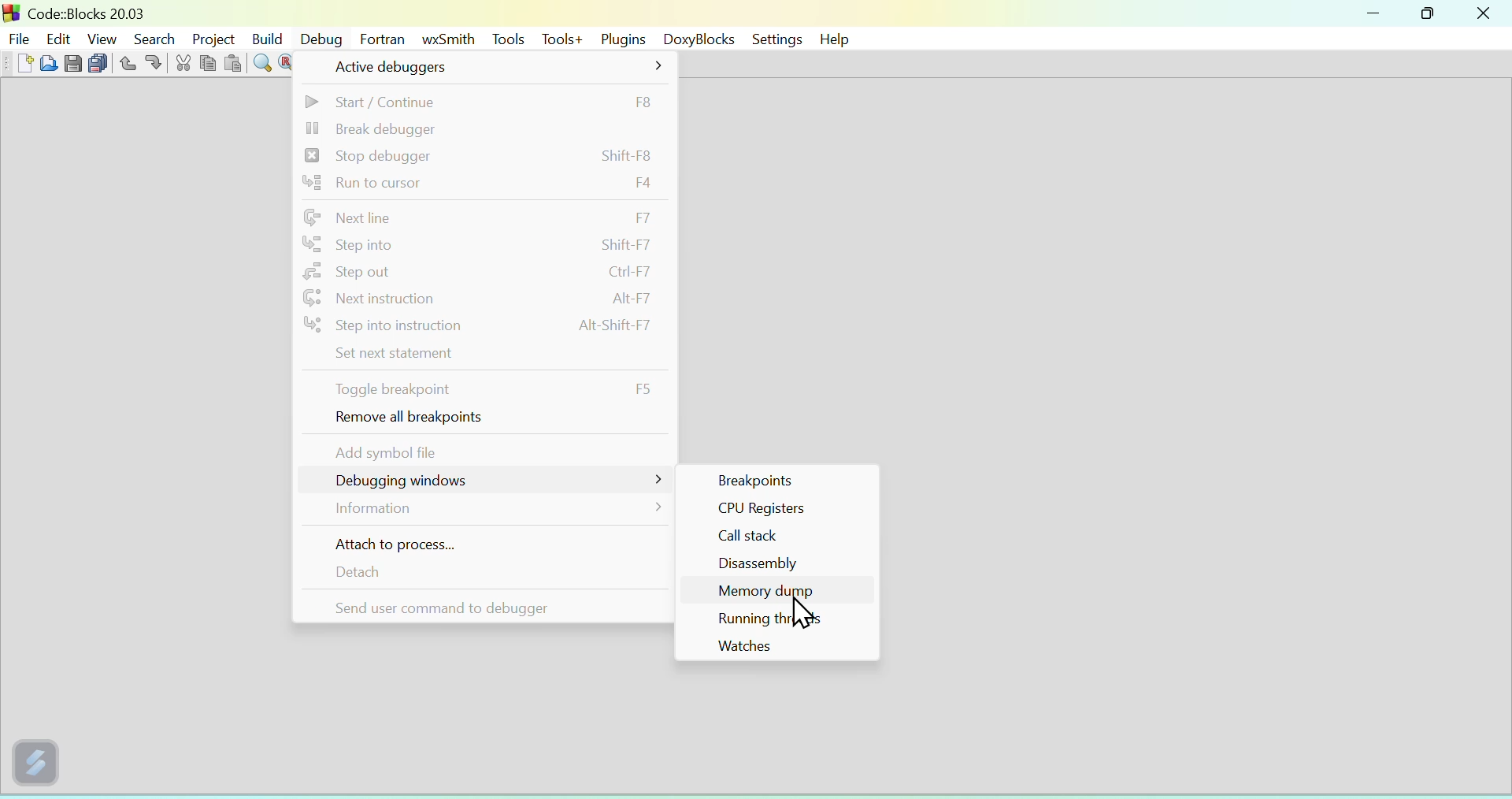  I want to click on step out, so click(480, 273).